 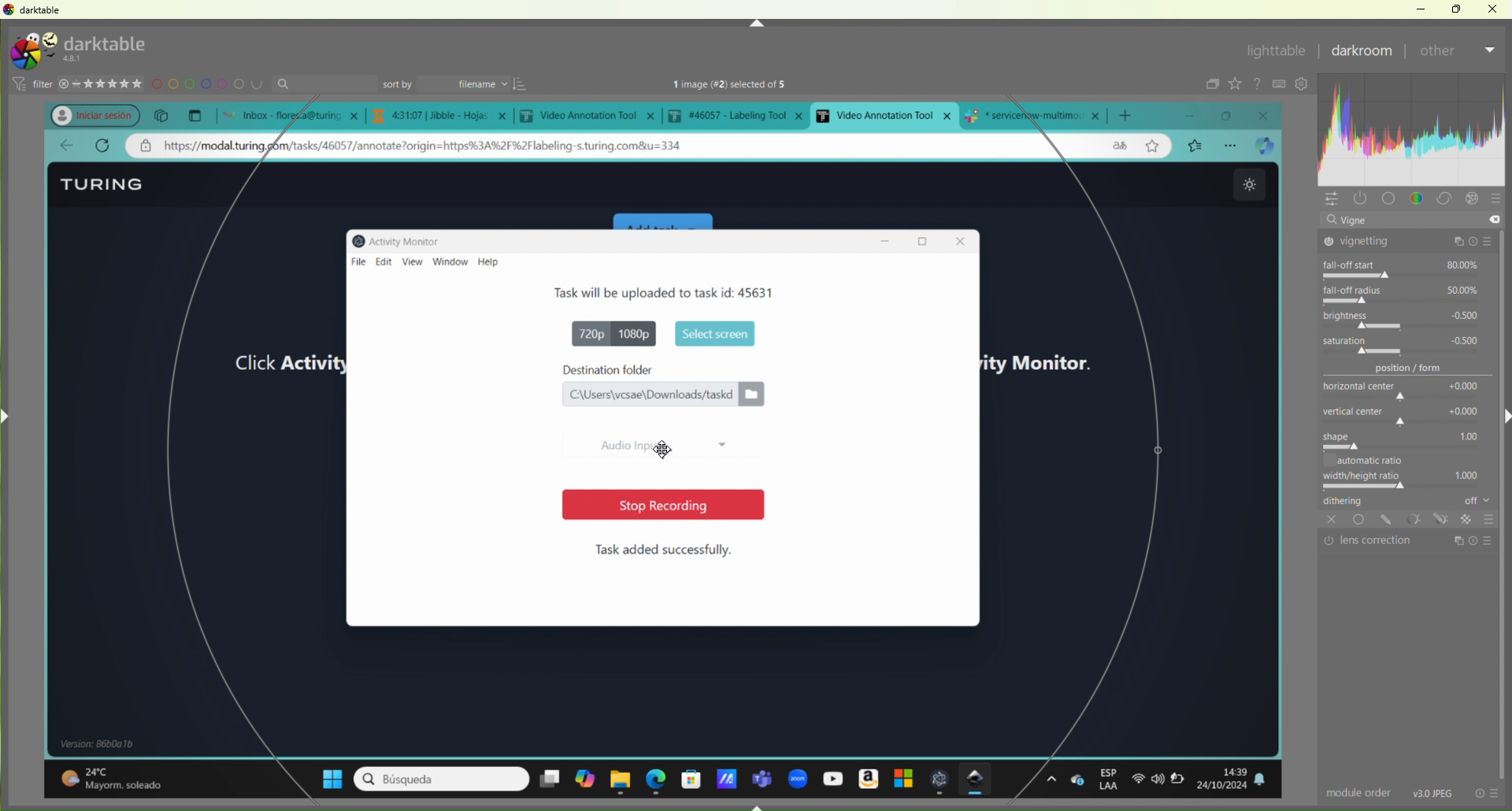 What do you see at coordinates (102, 146) in the screenshot?
I see `refresh` at bounding box center [102, 146].